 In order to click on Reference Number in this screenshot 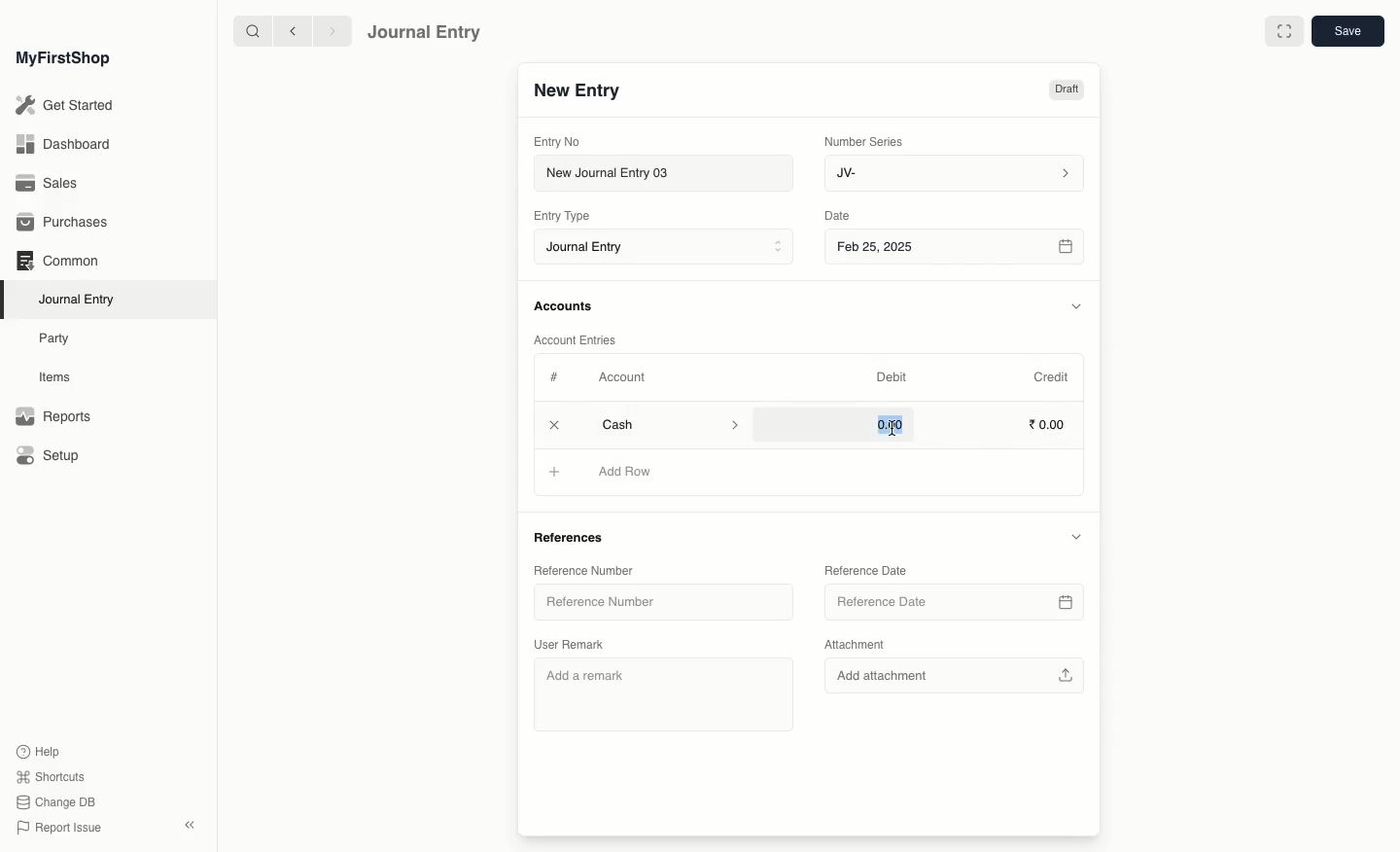, I will do `click(663, 602)`.